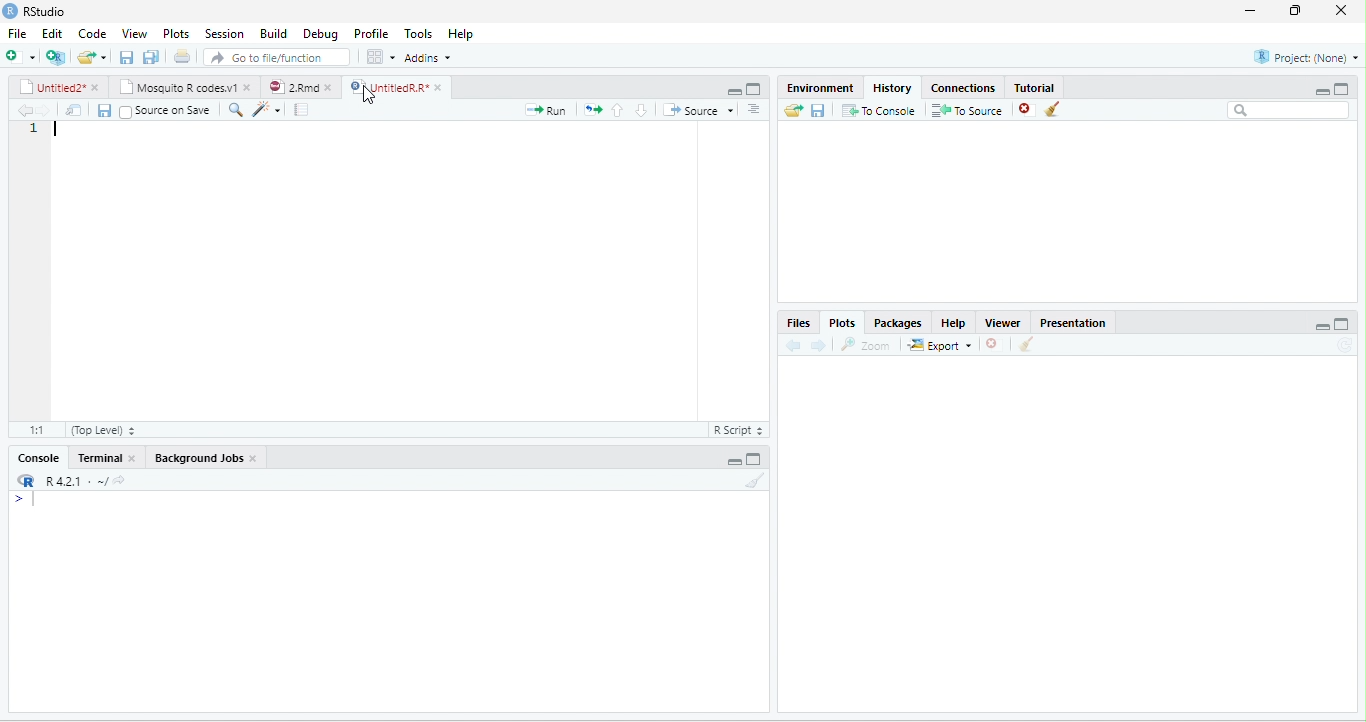 The image size is (1366, 722). Describe the element at coordinates (321, 35) in the screenshot. I see `debug` at that location.